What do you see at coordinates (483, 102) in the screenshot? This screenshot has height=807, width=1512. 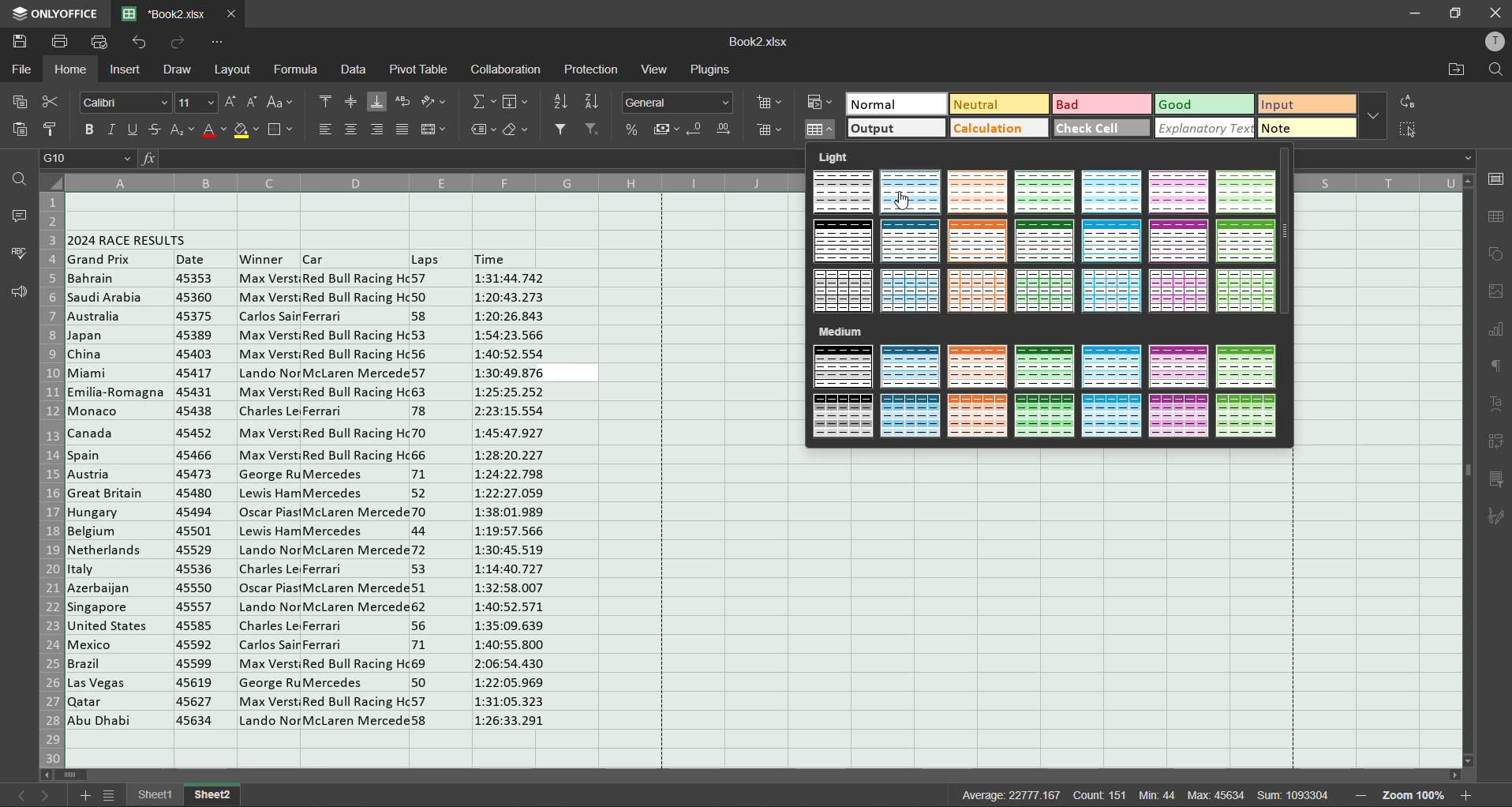 I see `summation` at bounding box center [483, 102].